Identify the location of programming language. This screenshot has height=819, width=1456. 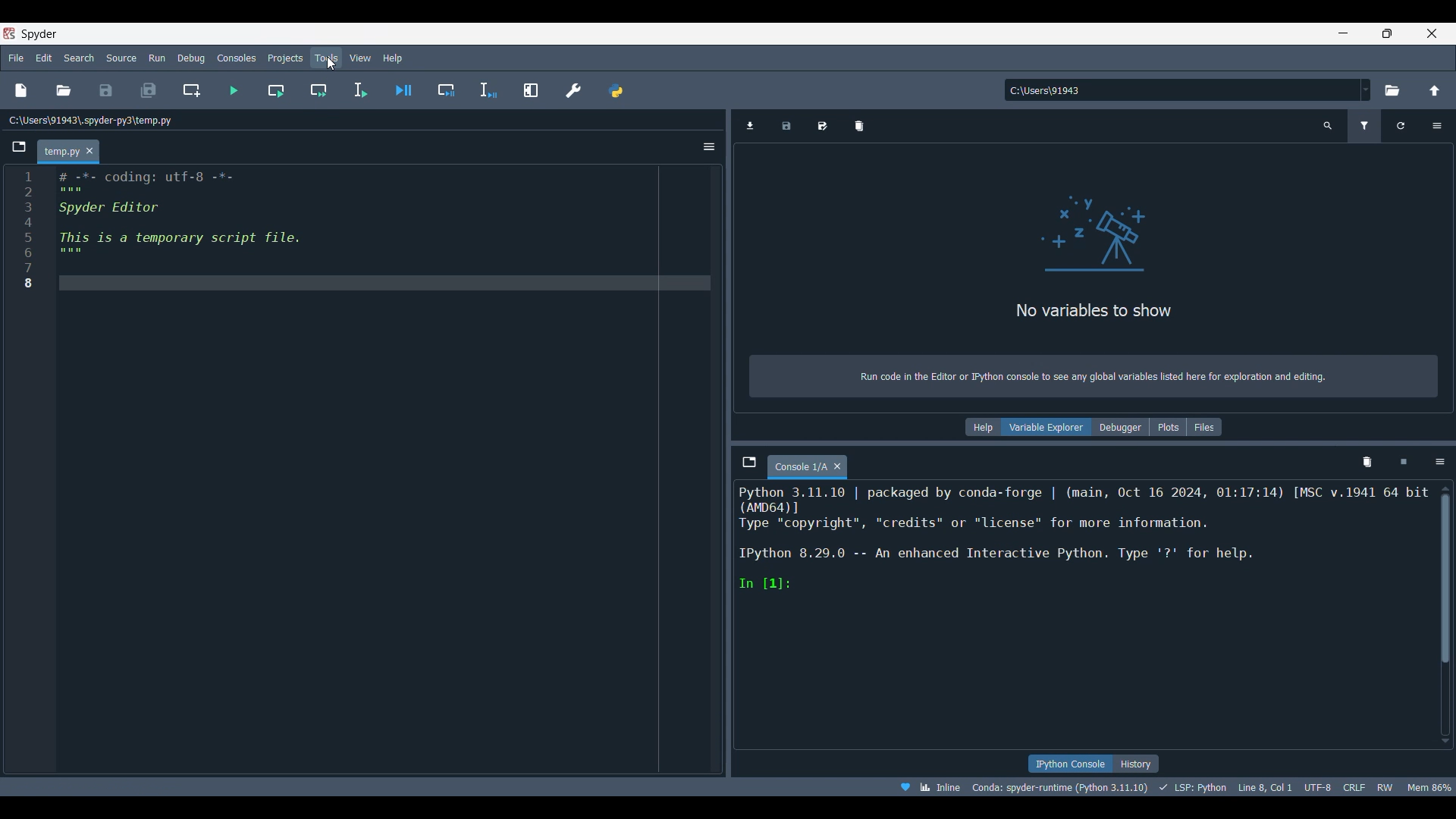
(1195, 786).